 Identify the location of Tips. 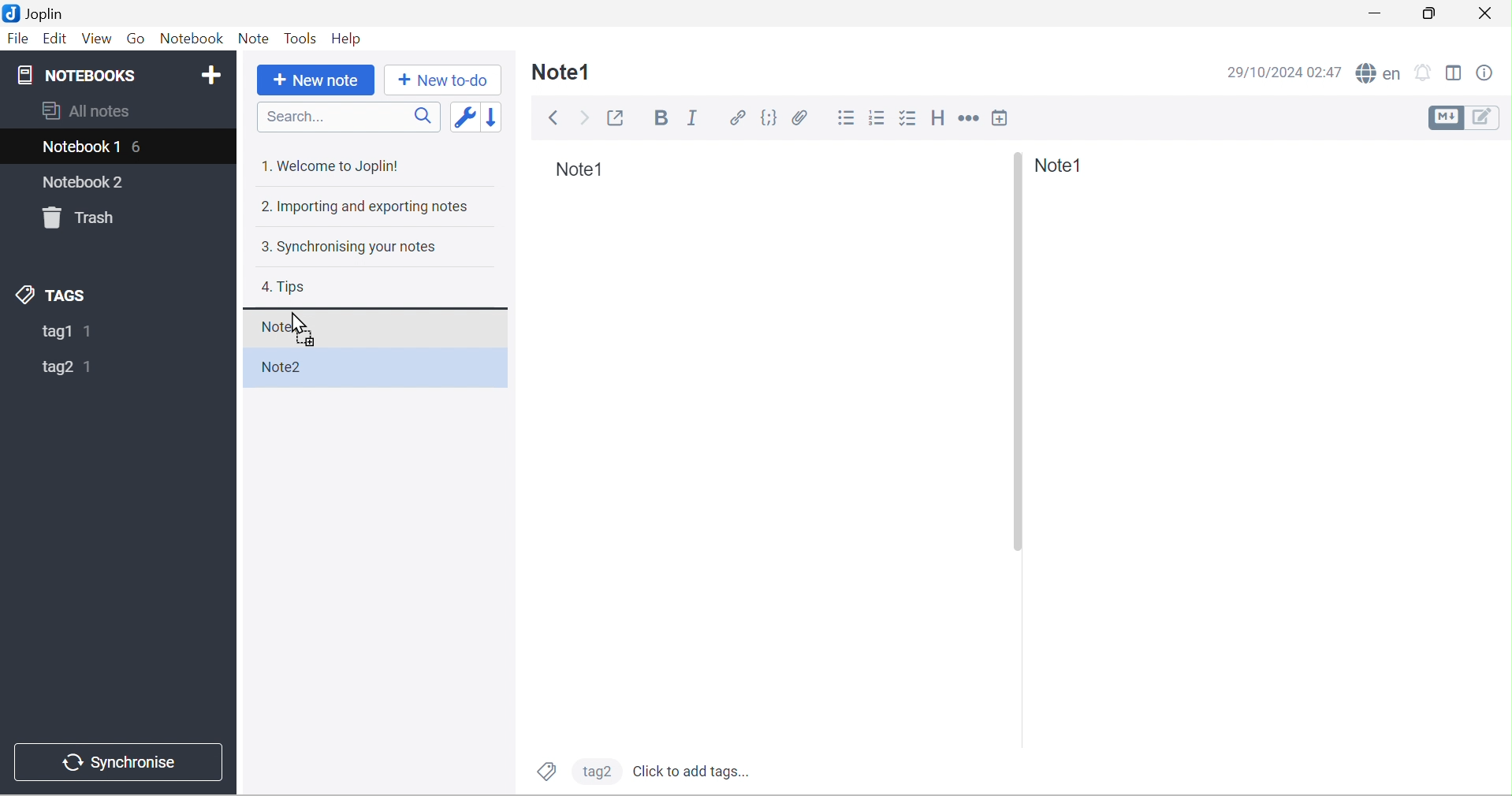
(286, 288).